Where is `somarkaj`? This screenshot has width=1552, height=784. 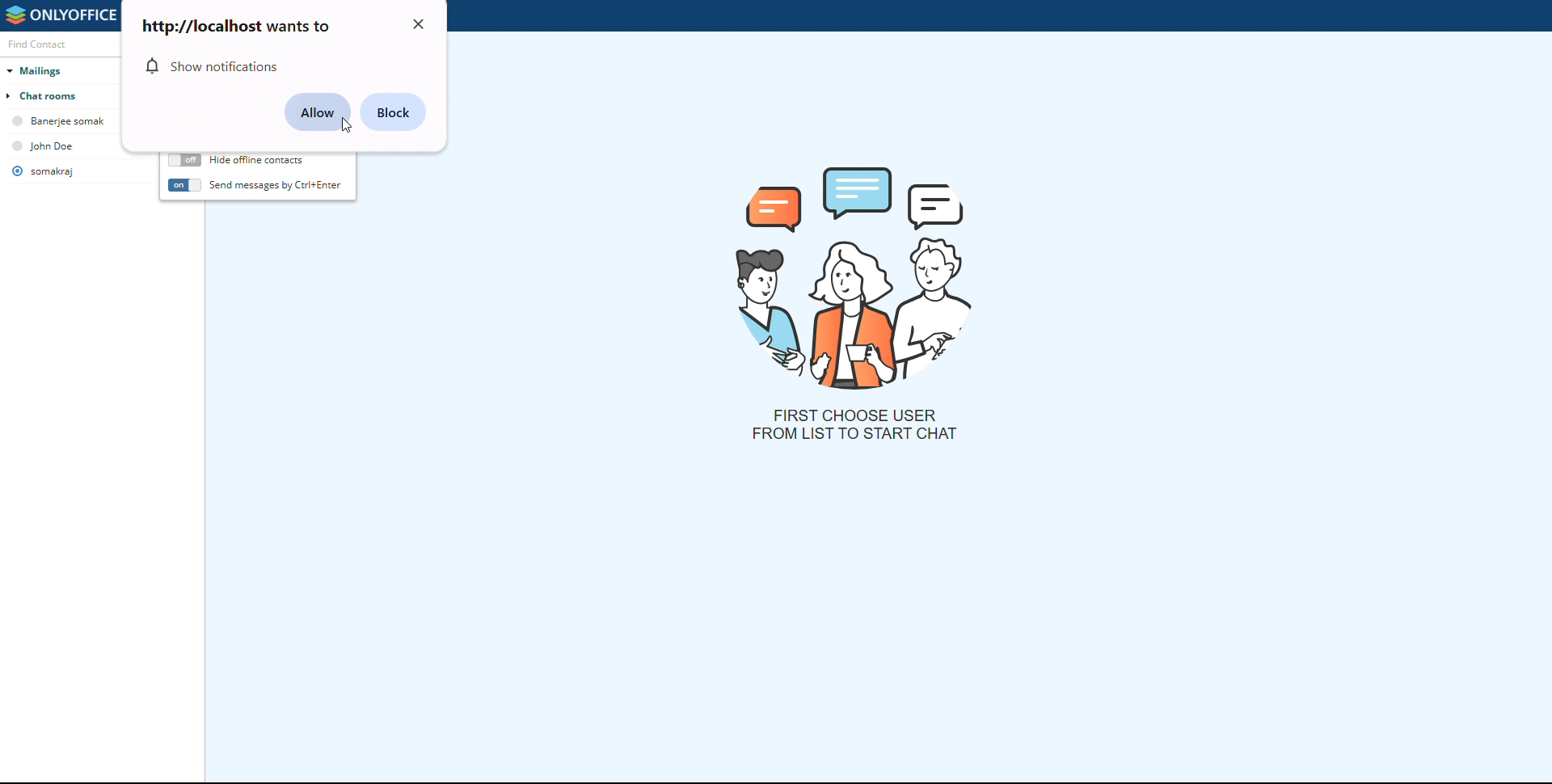 somarkaj is located at coordinates (53, 171).